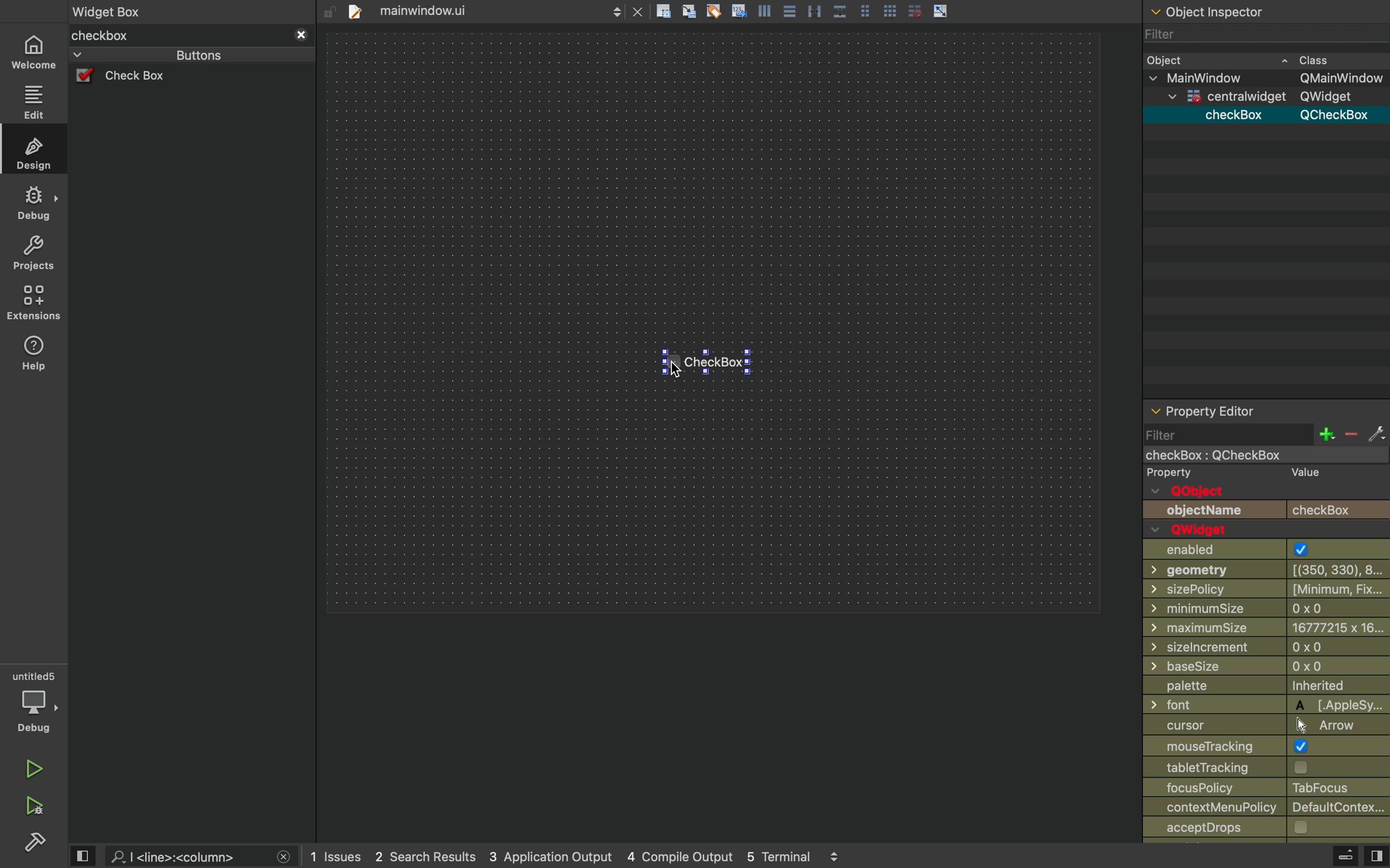 The image size is (1390, 868). I want to click on widget box, so click(177, 36).